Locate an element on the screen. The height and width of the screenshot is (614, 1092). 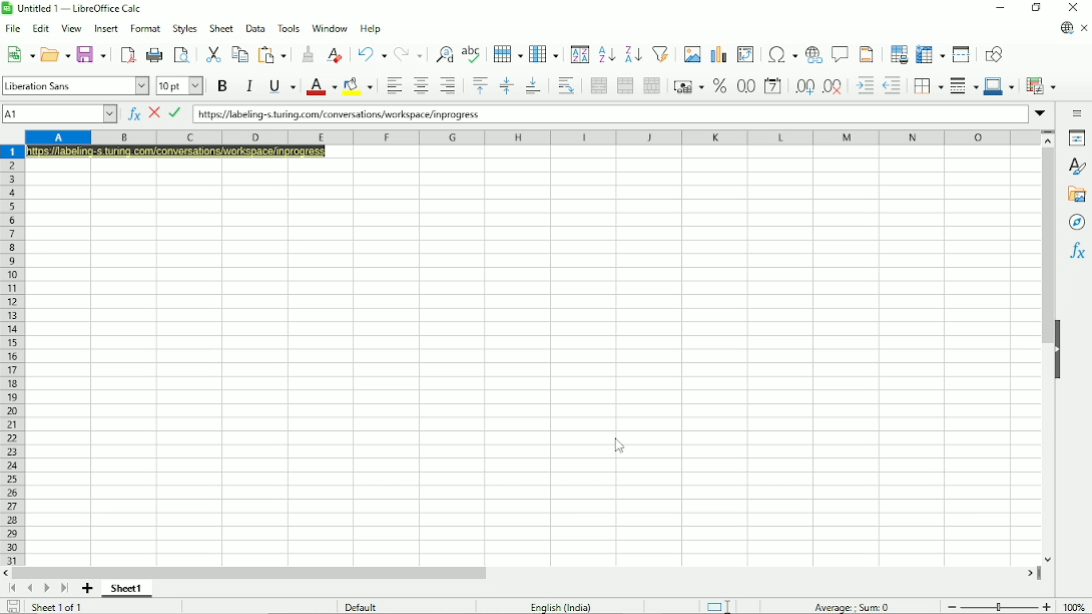
Underline is located at coordinates (281, 86).